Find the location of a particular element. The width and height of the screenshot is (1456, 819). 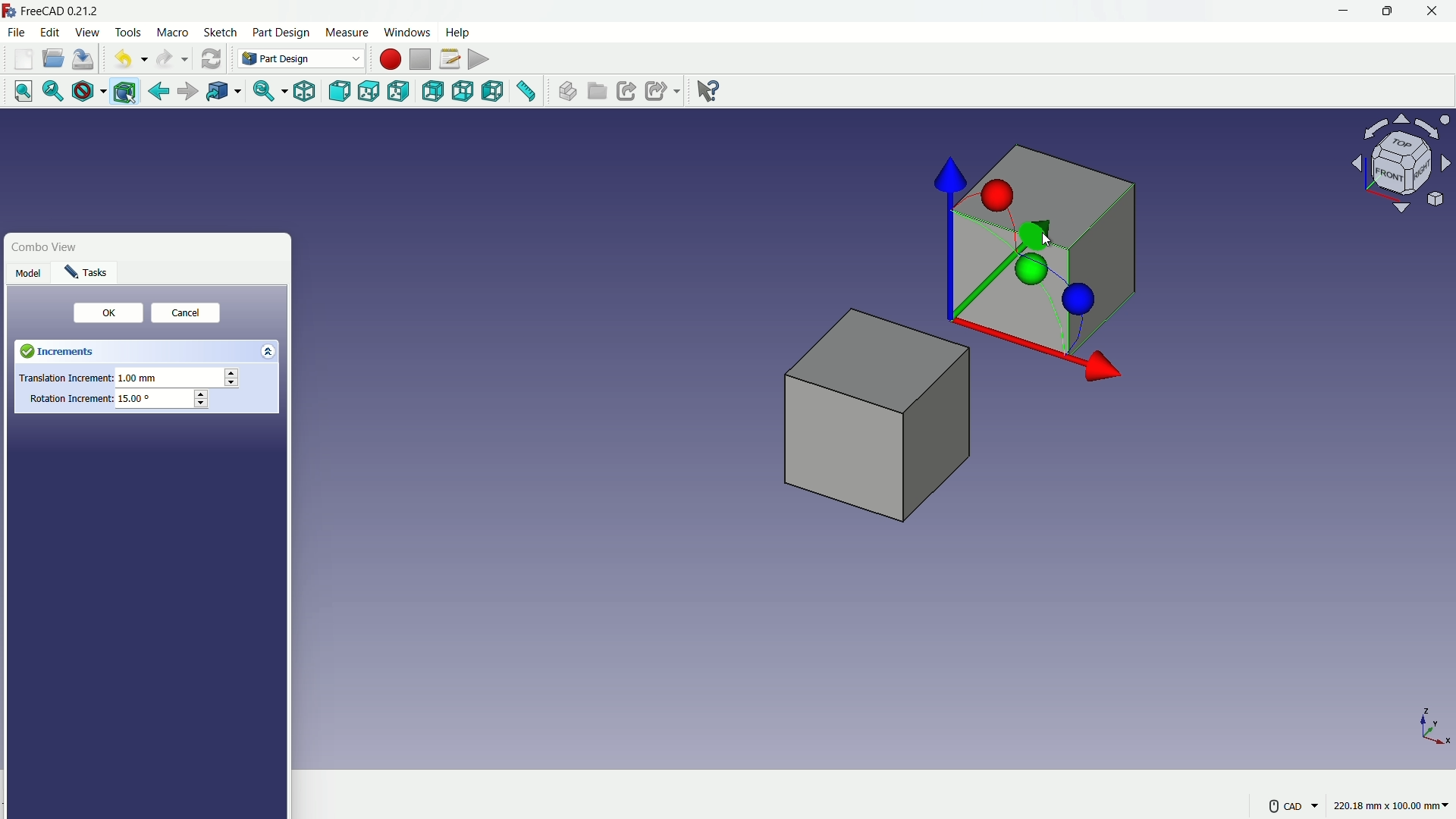

new file is located at coordinates (24, 59).